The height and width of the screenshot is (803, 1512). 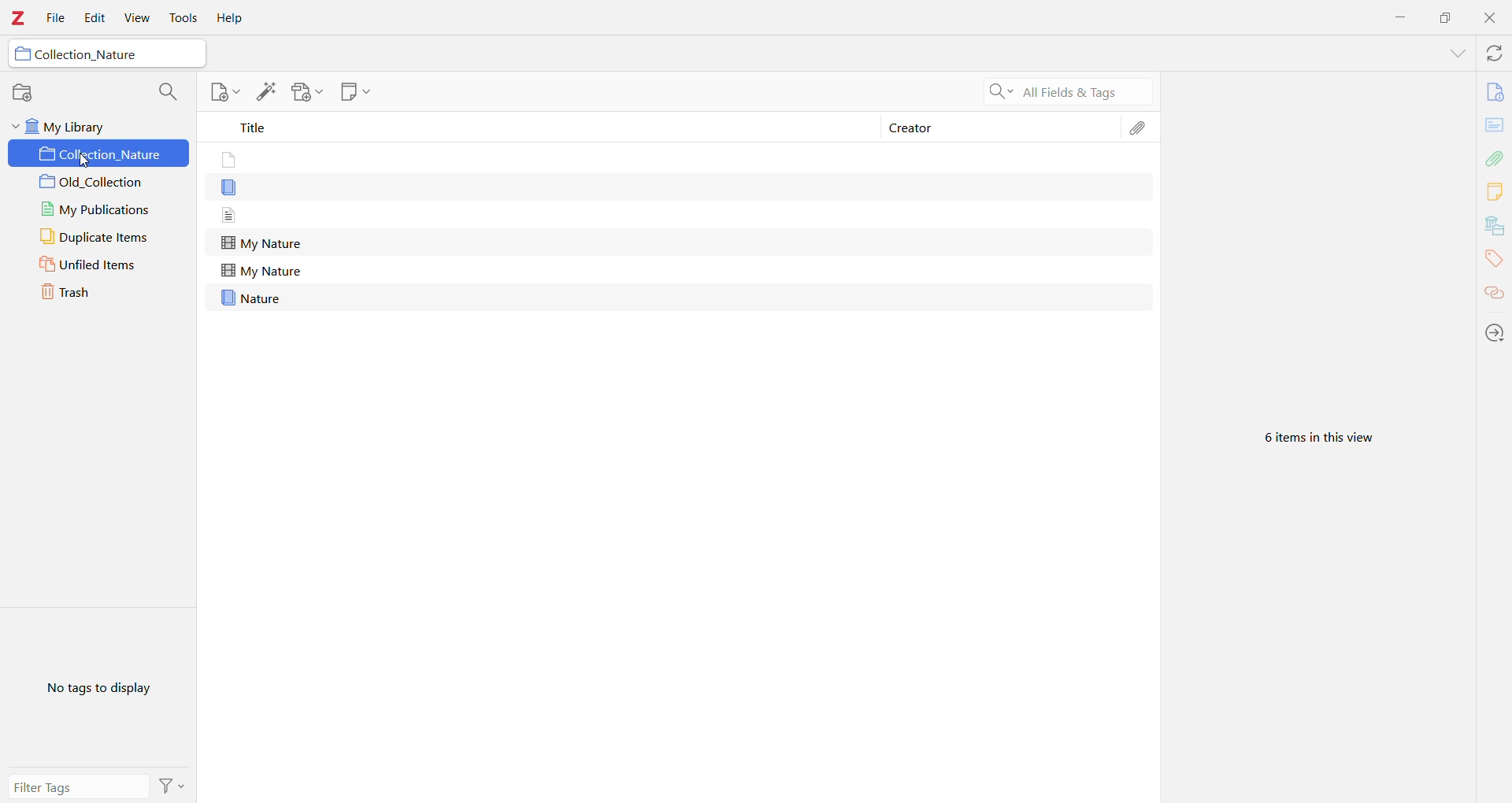 What do you see at coordinates (24, 91) in the screenshot?
I see `New Collections` at bounding box center [24, 91].